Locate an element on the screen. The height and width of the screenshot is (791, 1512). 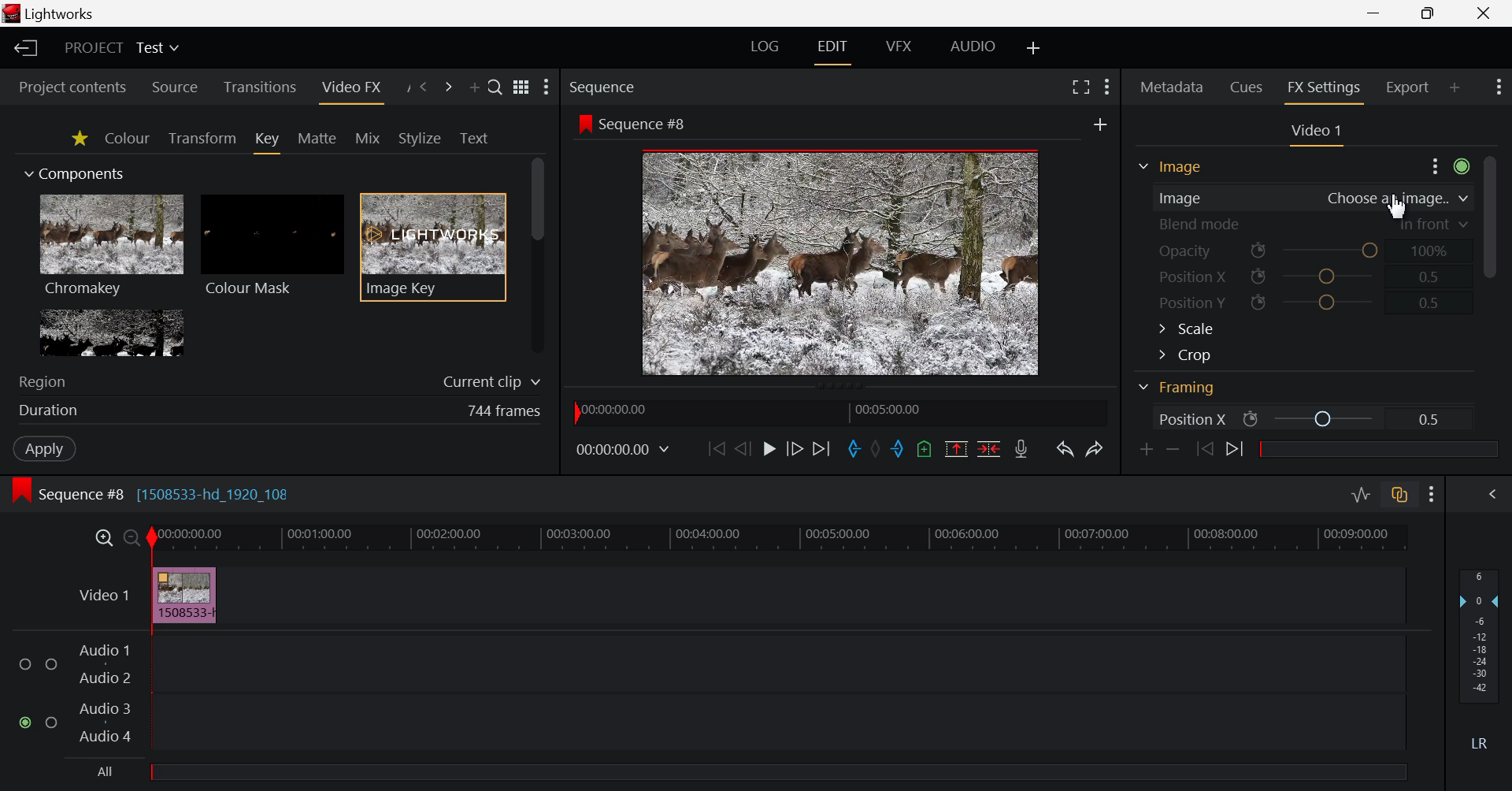
Sequence #8 [1508533-hd_1920_108 is located at coordinates (156, 495).